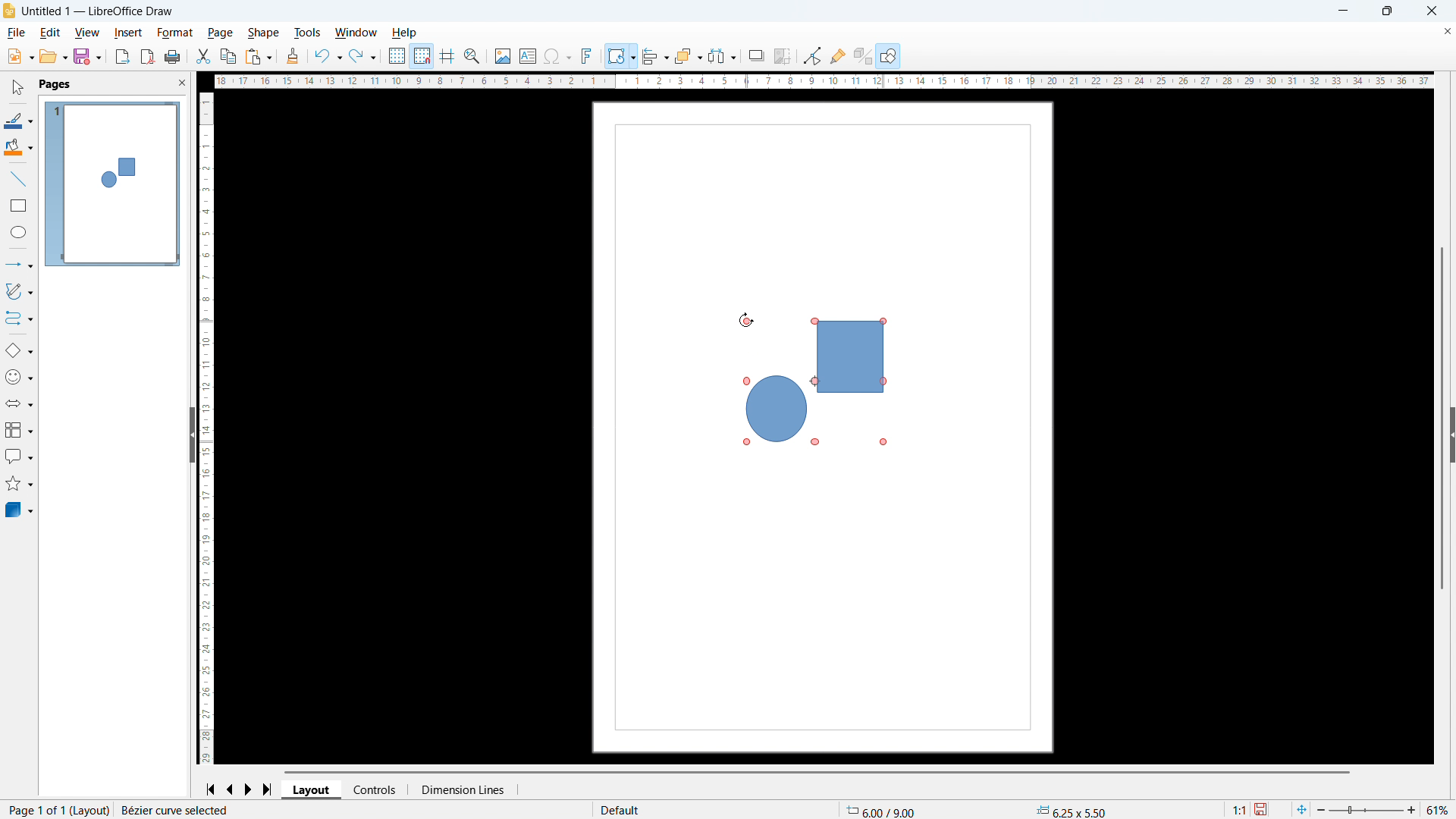  I want to click on Edit , so click(52, 33).